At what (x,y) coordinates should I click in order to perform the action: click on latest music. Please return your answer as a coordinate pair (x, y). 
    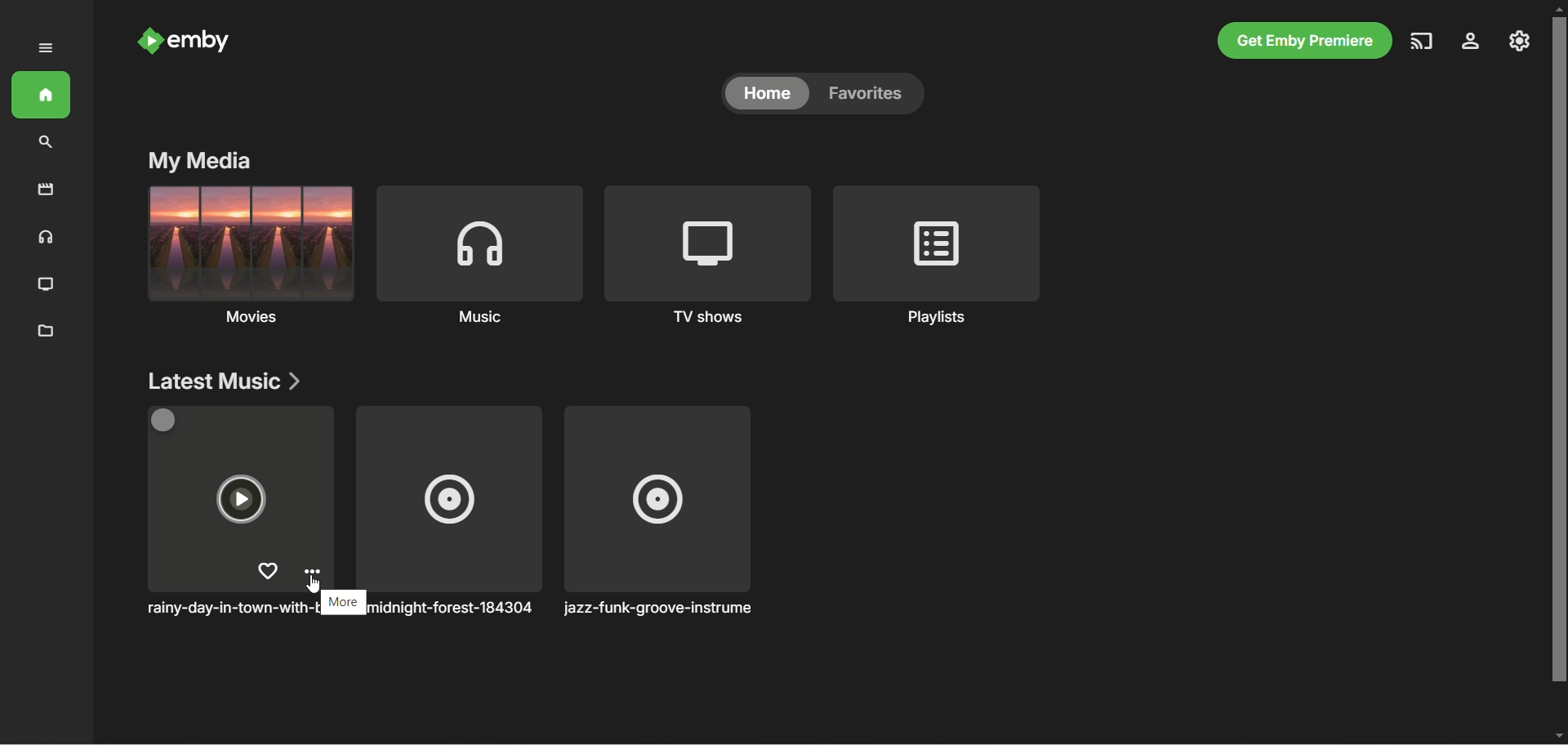
    Looking at the image, I should click on (224, 381).